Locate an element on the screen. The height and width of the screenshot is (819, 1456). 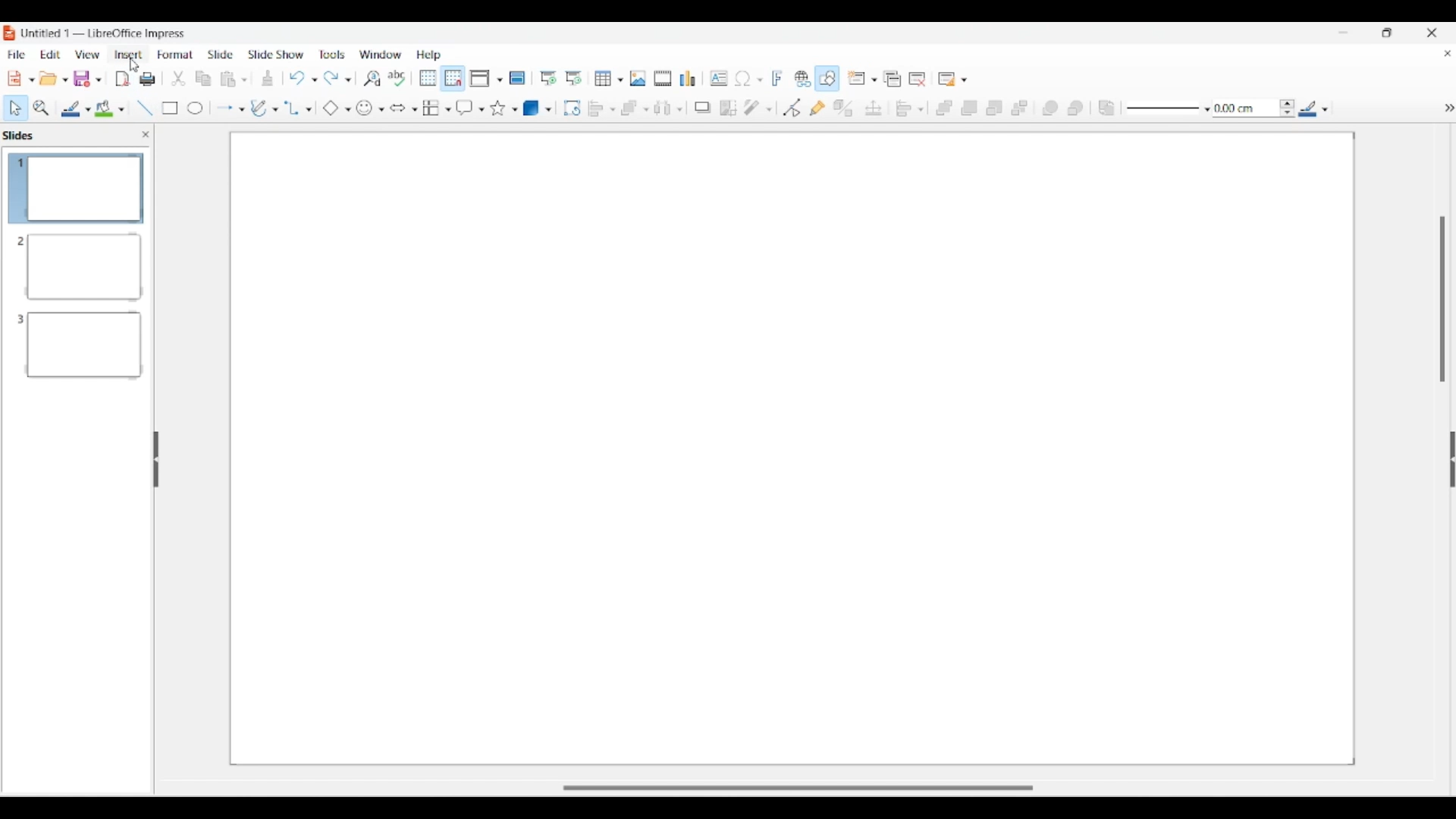
Slide 1 is located at coordinates (77, 187).